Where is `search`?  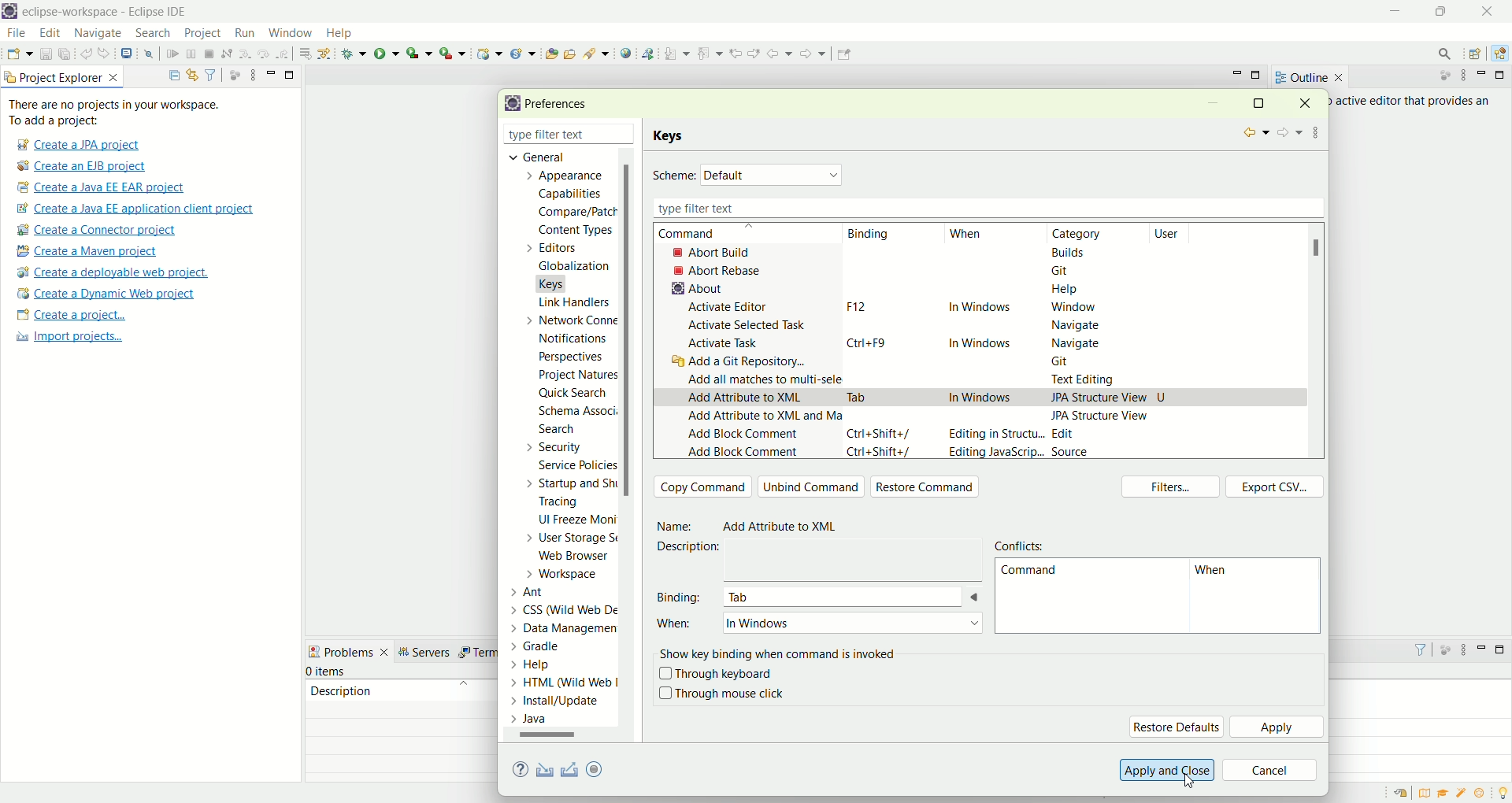 search is located at coordinates (153, 34).